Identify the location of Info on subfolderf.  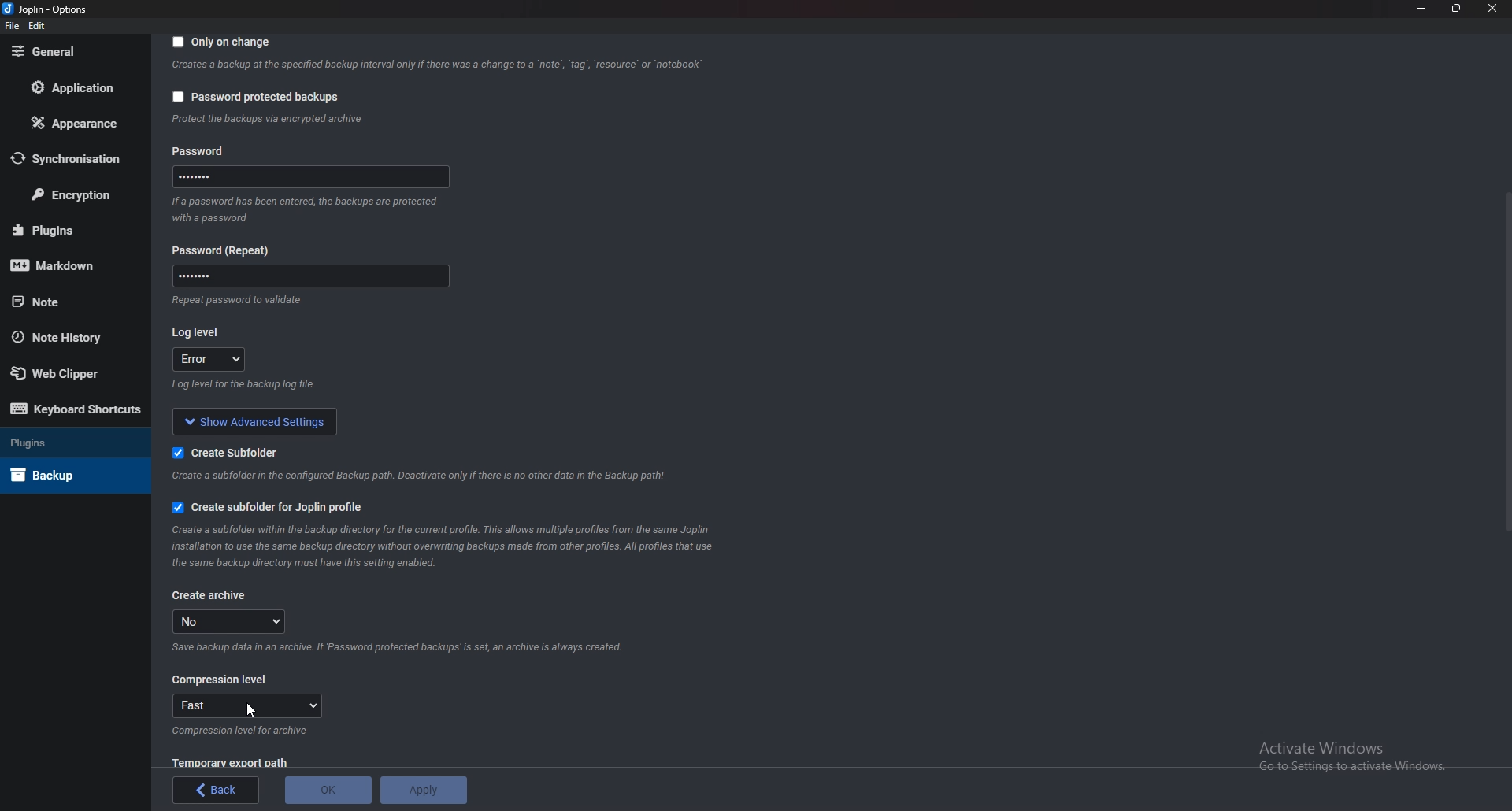
(421, 476).